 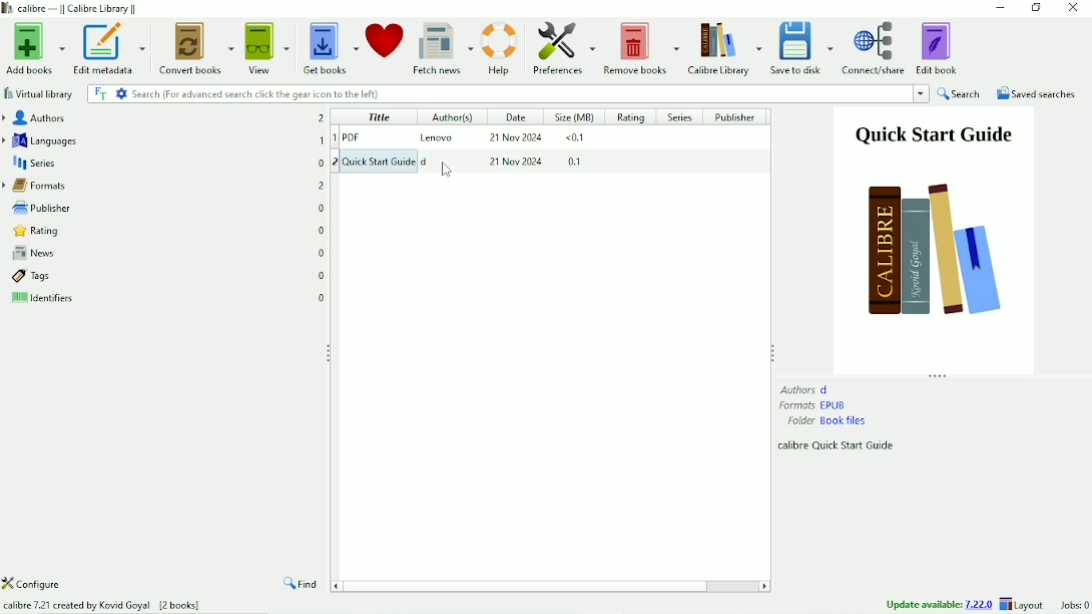 I want to click on Search the full text of all books in library, so click(x=100, y=93).